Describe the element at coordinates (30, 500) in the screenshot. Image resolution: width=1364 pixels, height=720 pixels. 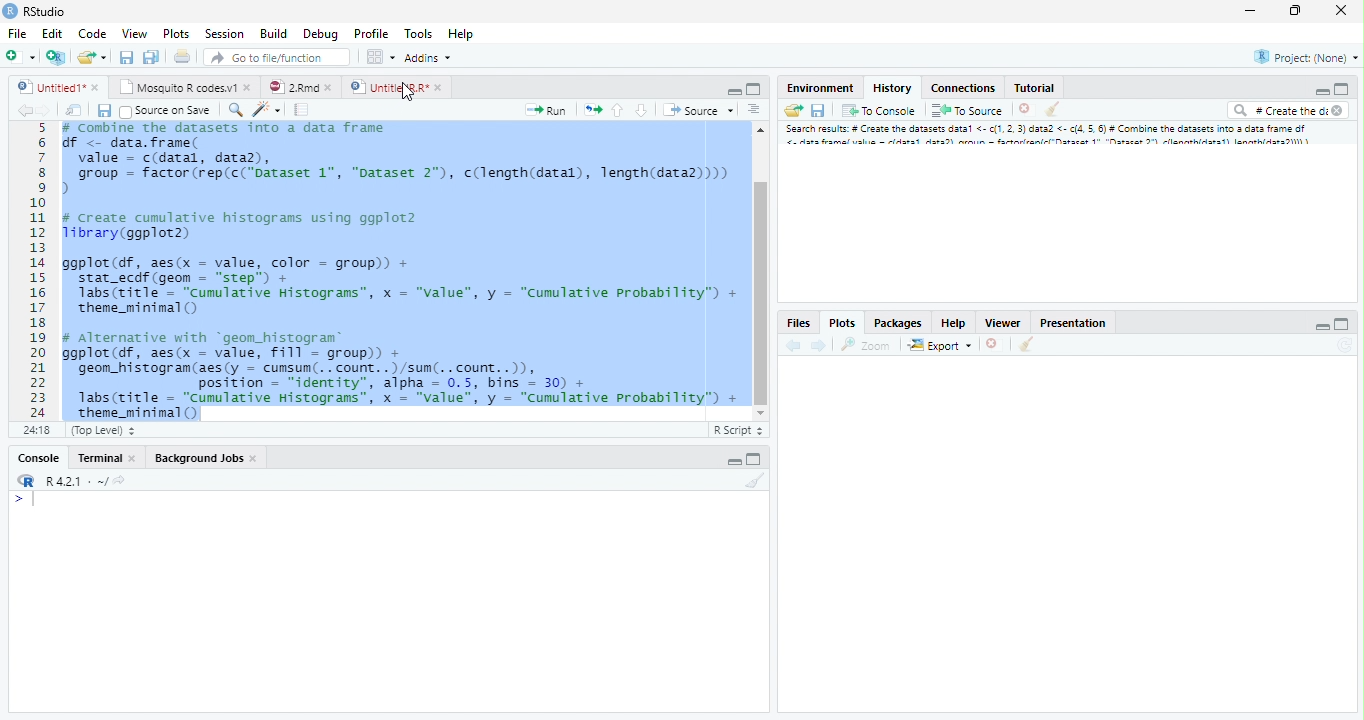
I see `Input cursor` at that location.